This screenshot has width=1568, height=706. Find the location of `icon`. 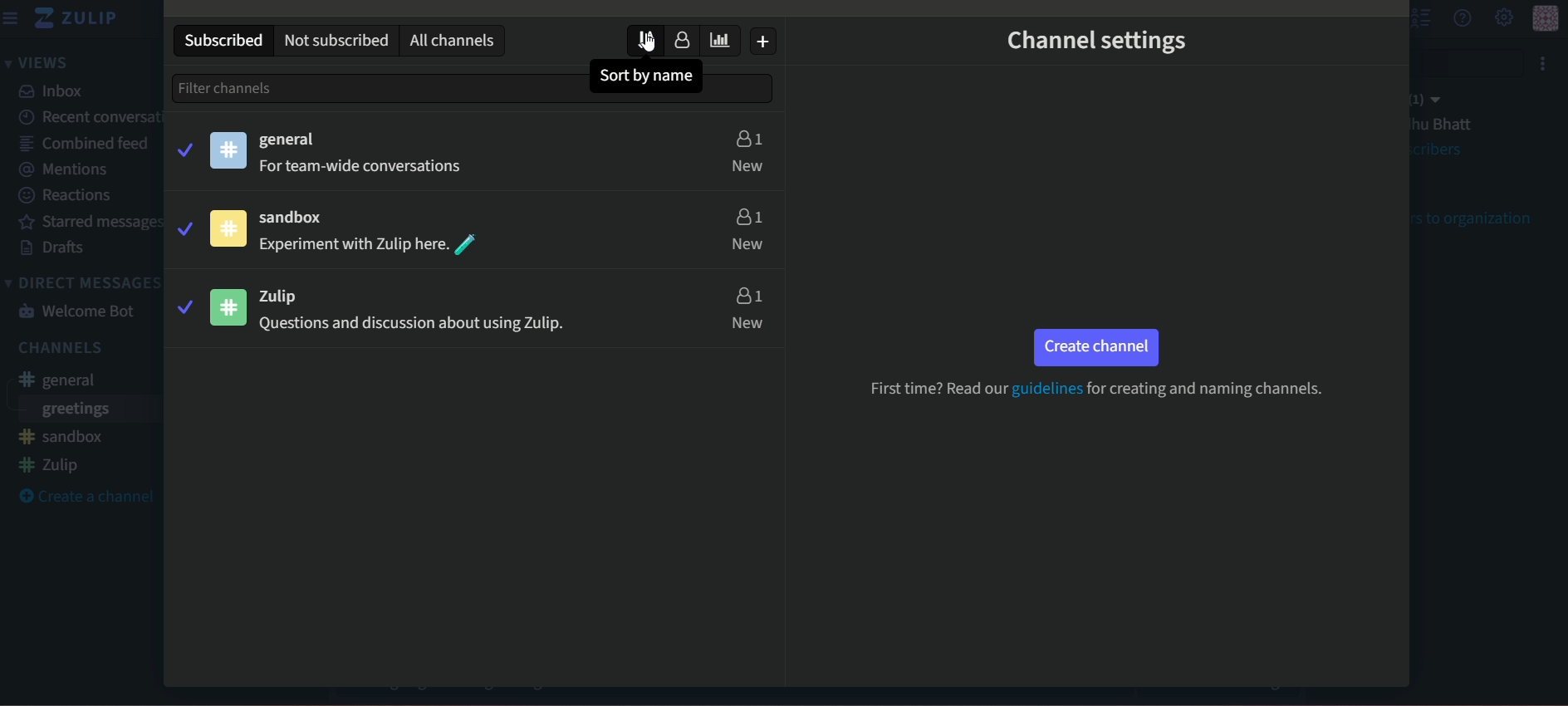

icon is located at coordinates (228, 228).